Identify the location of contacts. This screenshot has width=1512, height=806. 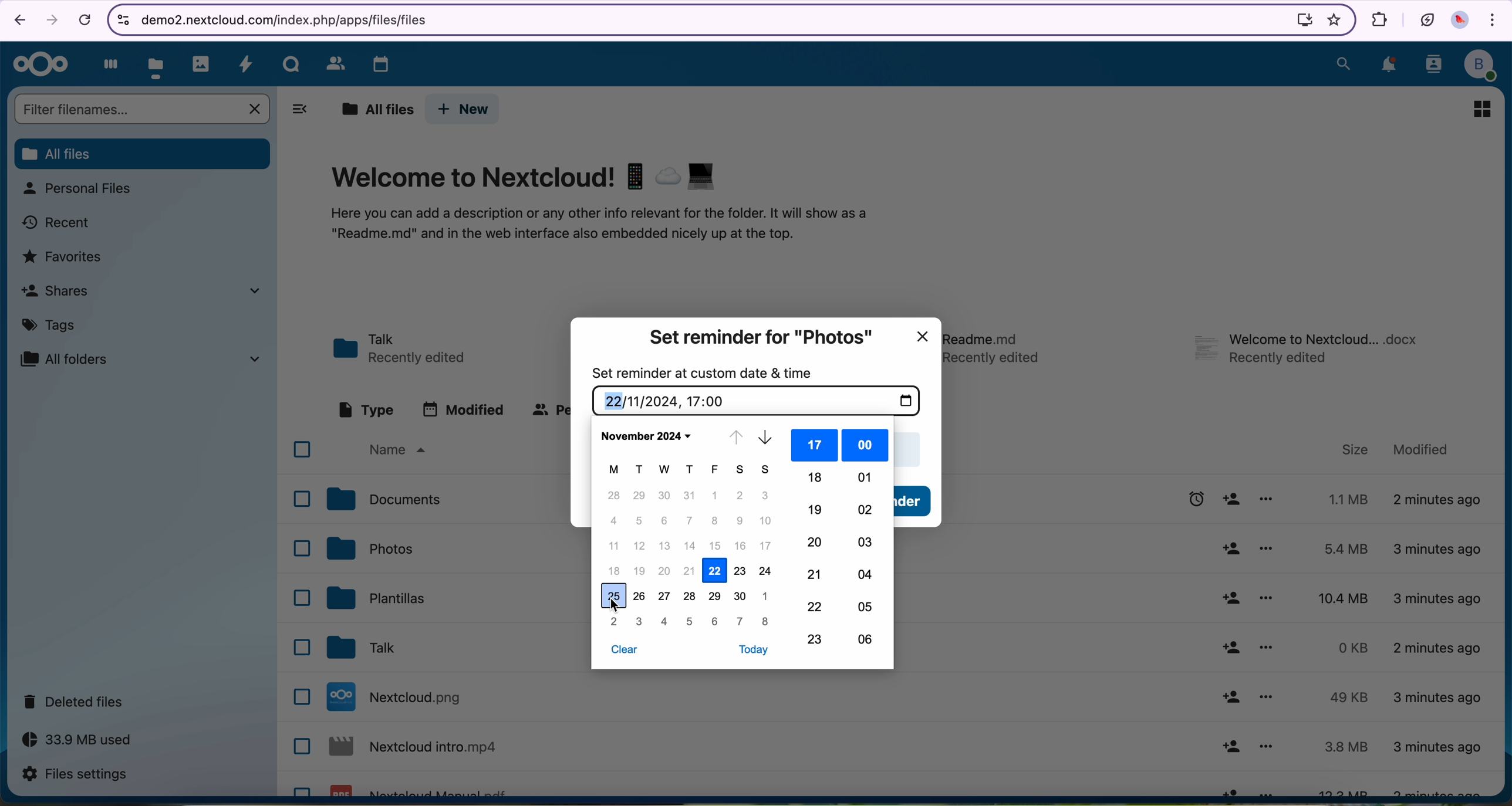
(332, 63).